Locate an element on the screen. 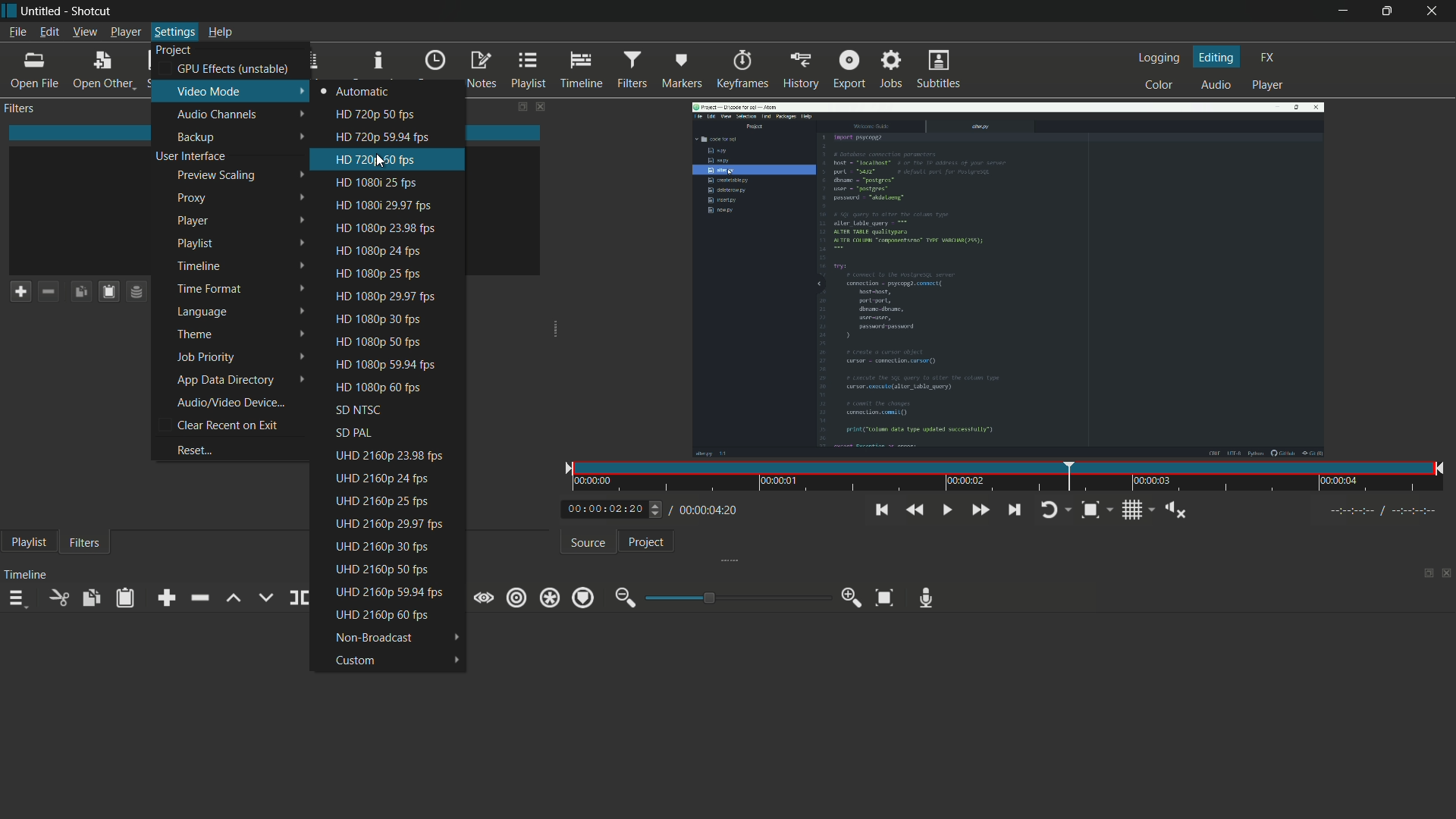 The width and height of the screenshot is (1456, 819). close filters is located at coordinates (543, 108).